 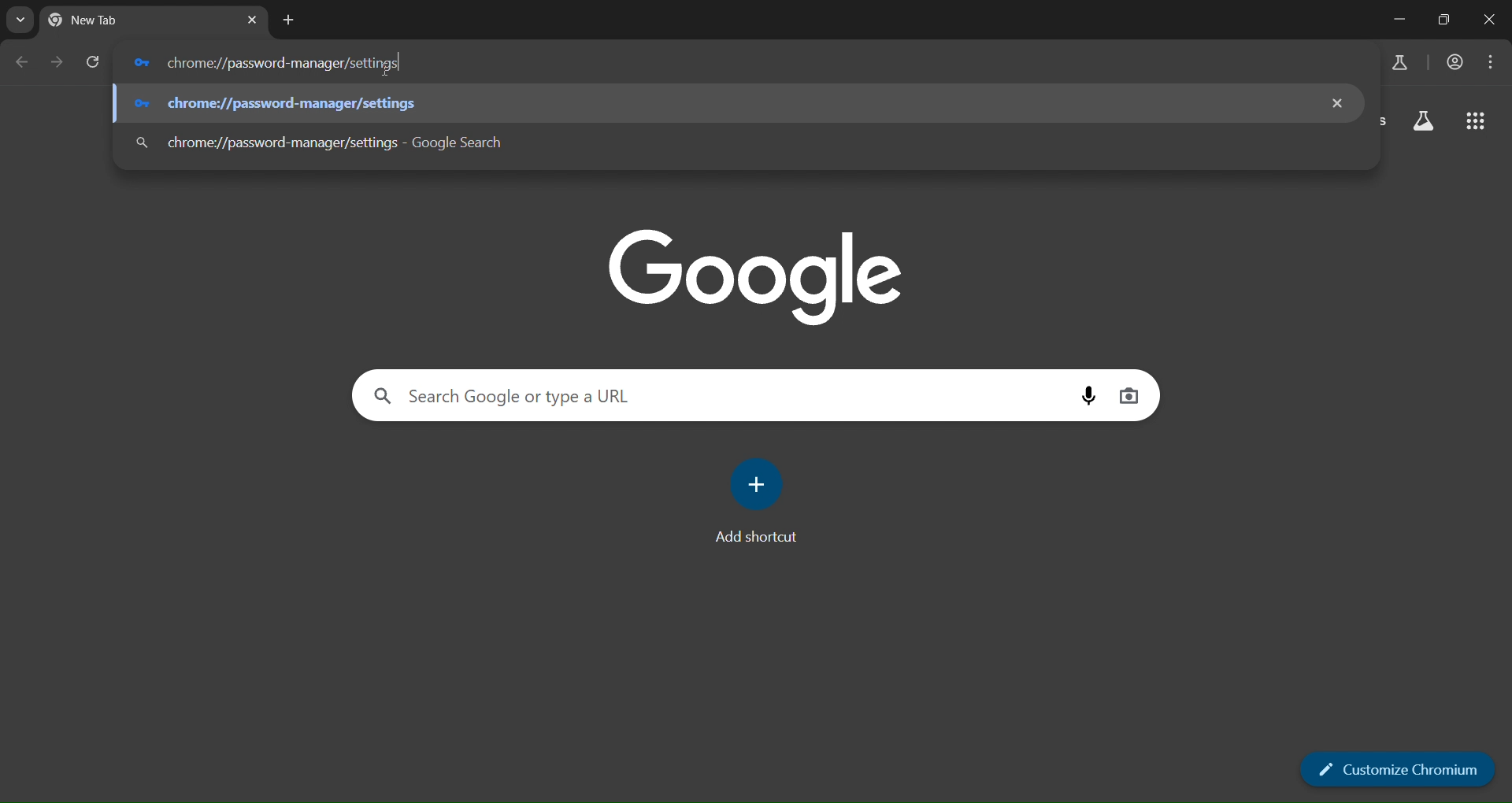 What do you see at coordinates (403, 63) in the screenshot?
I see `cursor` at bounding box center [403, 63].